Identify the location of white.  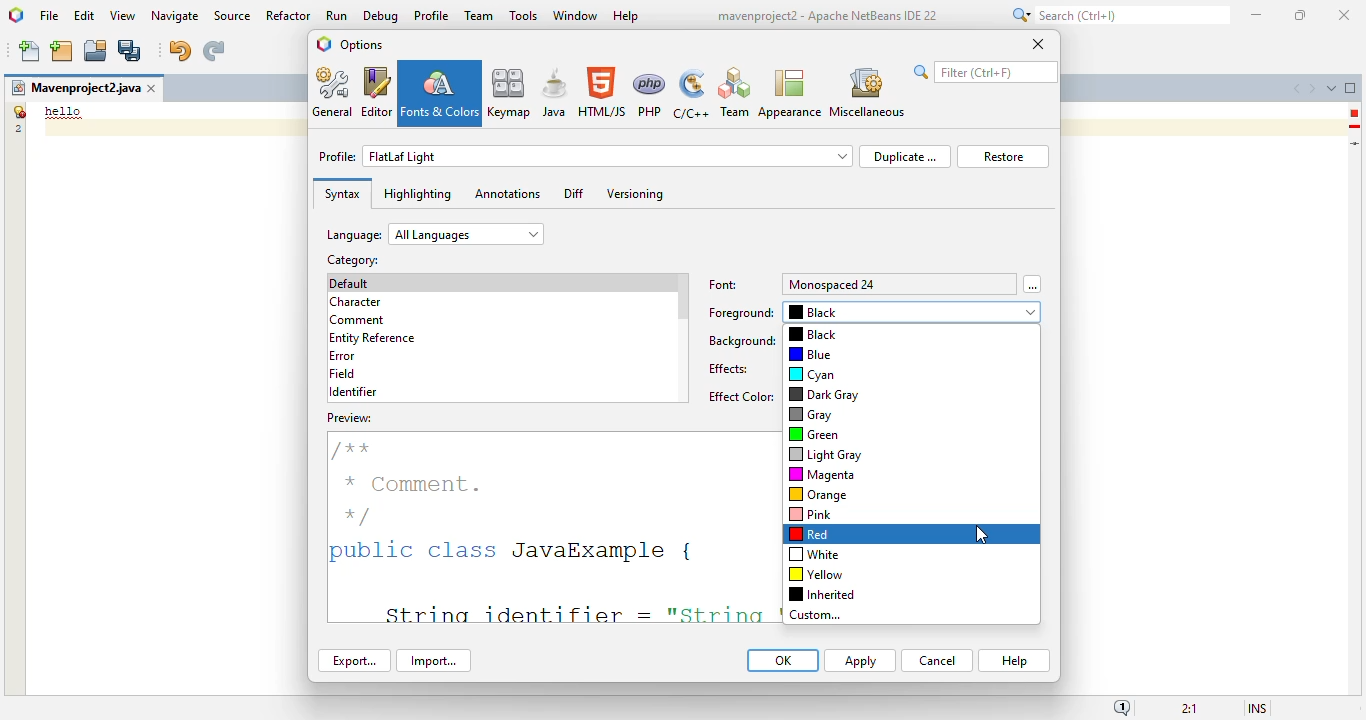
(814, 554).